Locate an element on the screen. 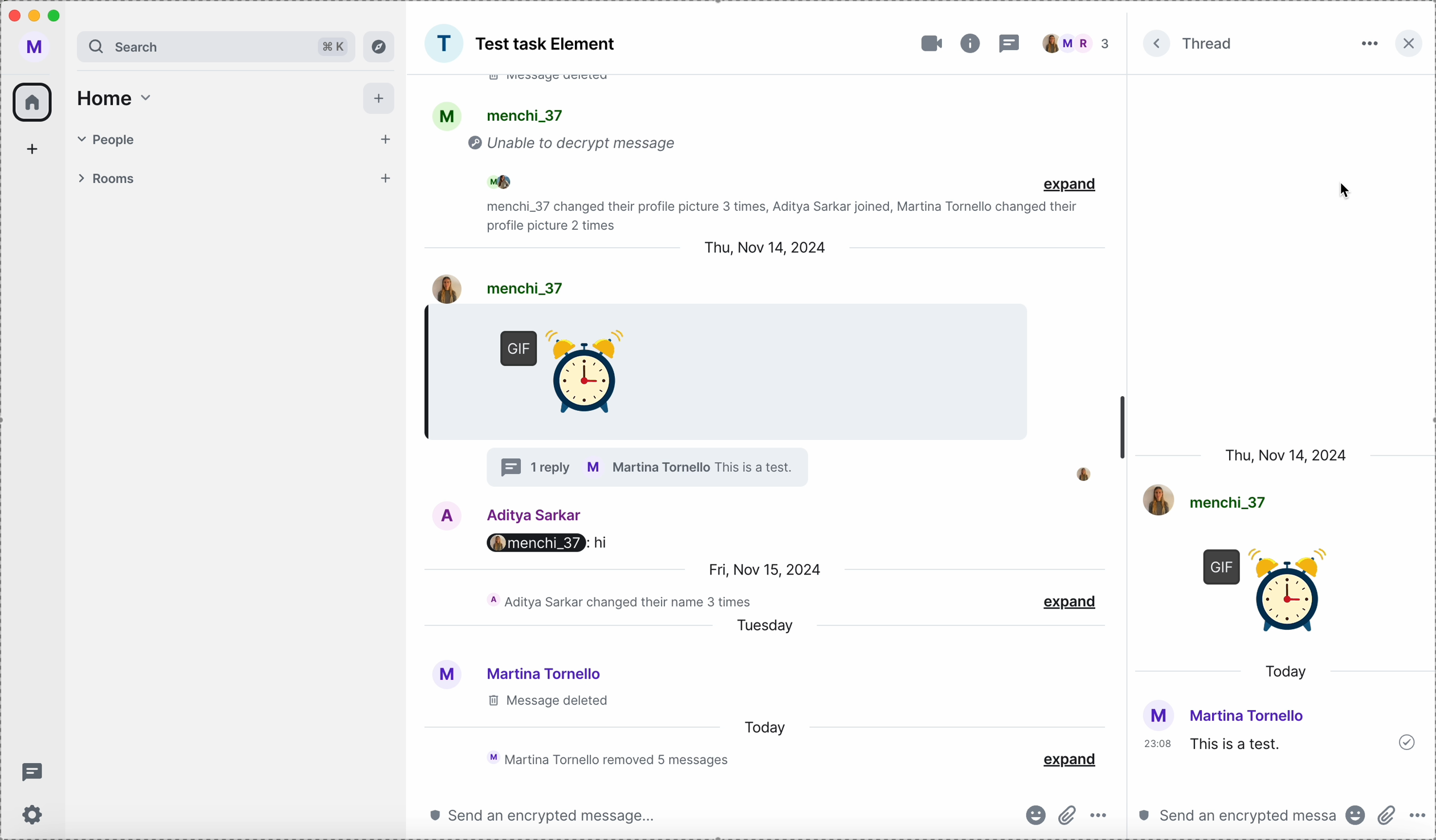 This screenshot has width=1436, height=840. user is located at coordinates (1207, 500).